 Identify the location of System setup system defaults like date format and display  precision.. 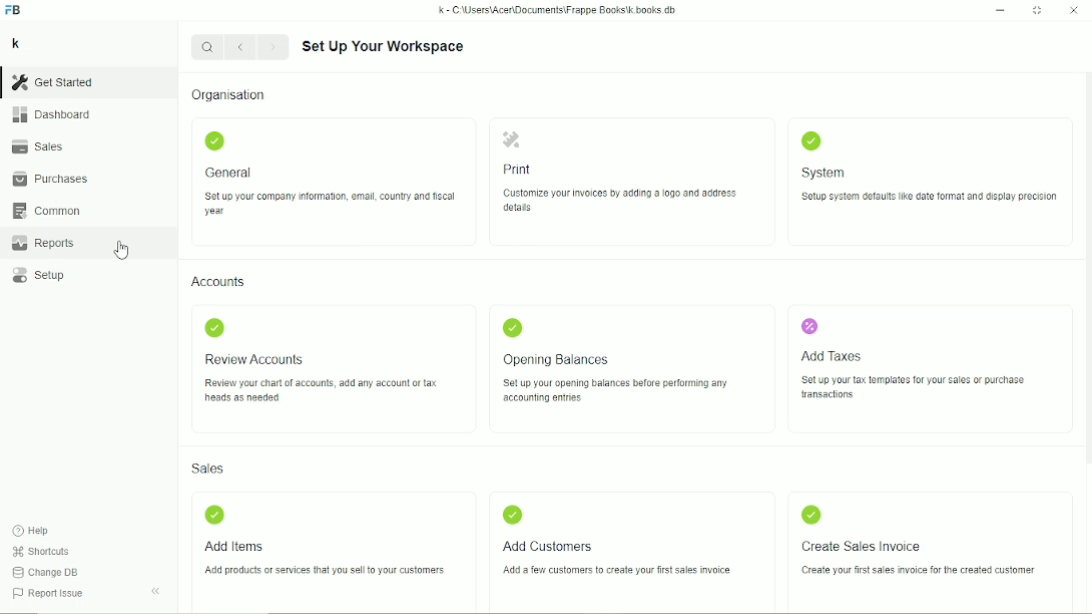
(928, 169).